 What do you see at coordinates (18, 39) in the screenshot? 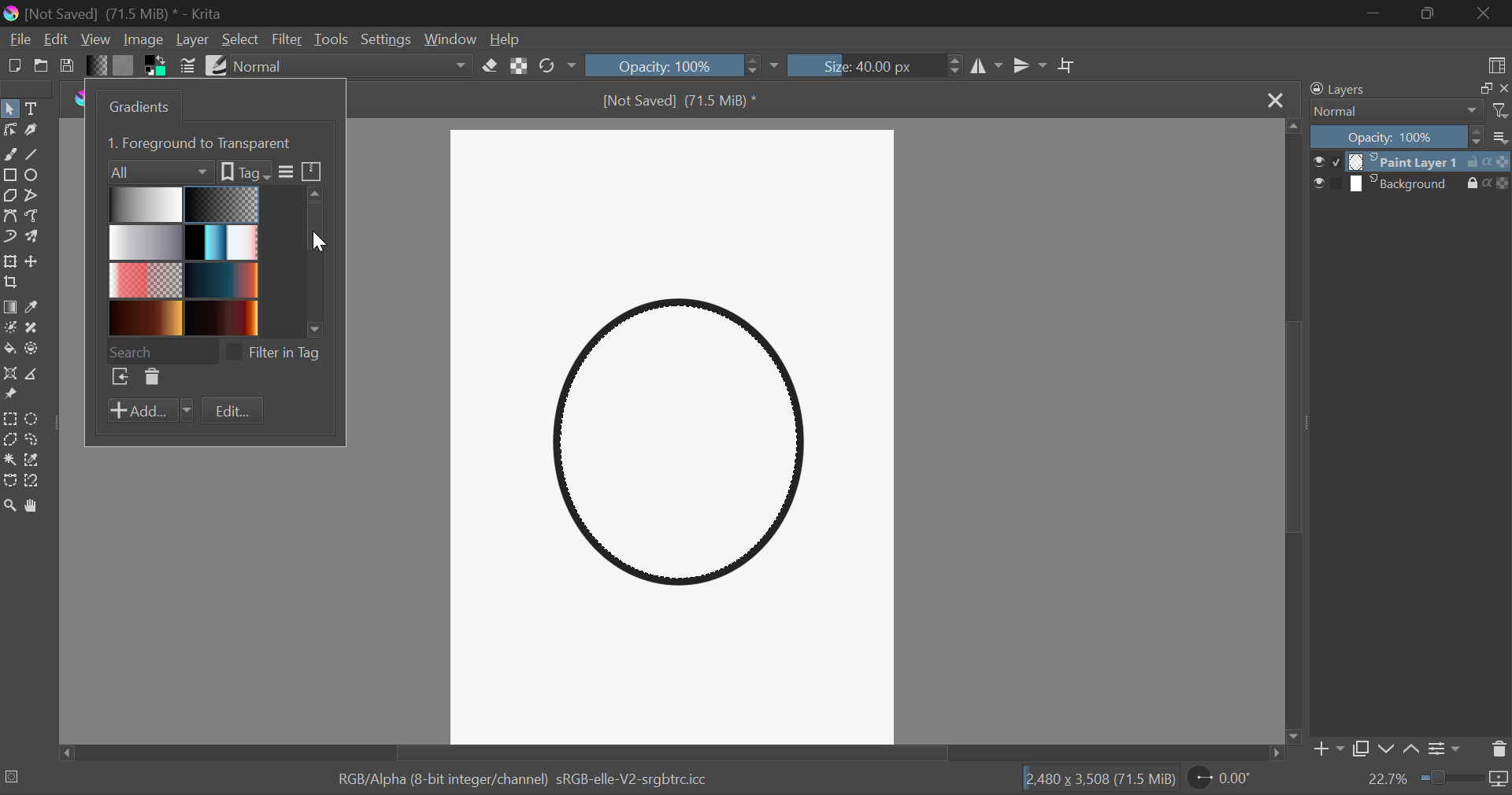
I see `File` at bounding box center [18, 39].